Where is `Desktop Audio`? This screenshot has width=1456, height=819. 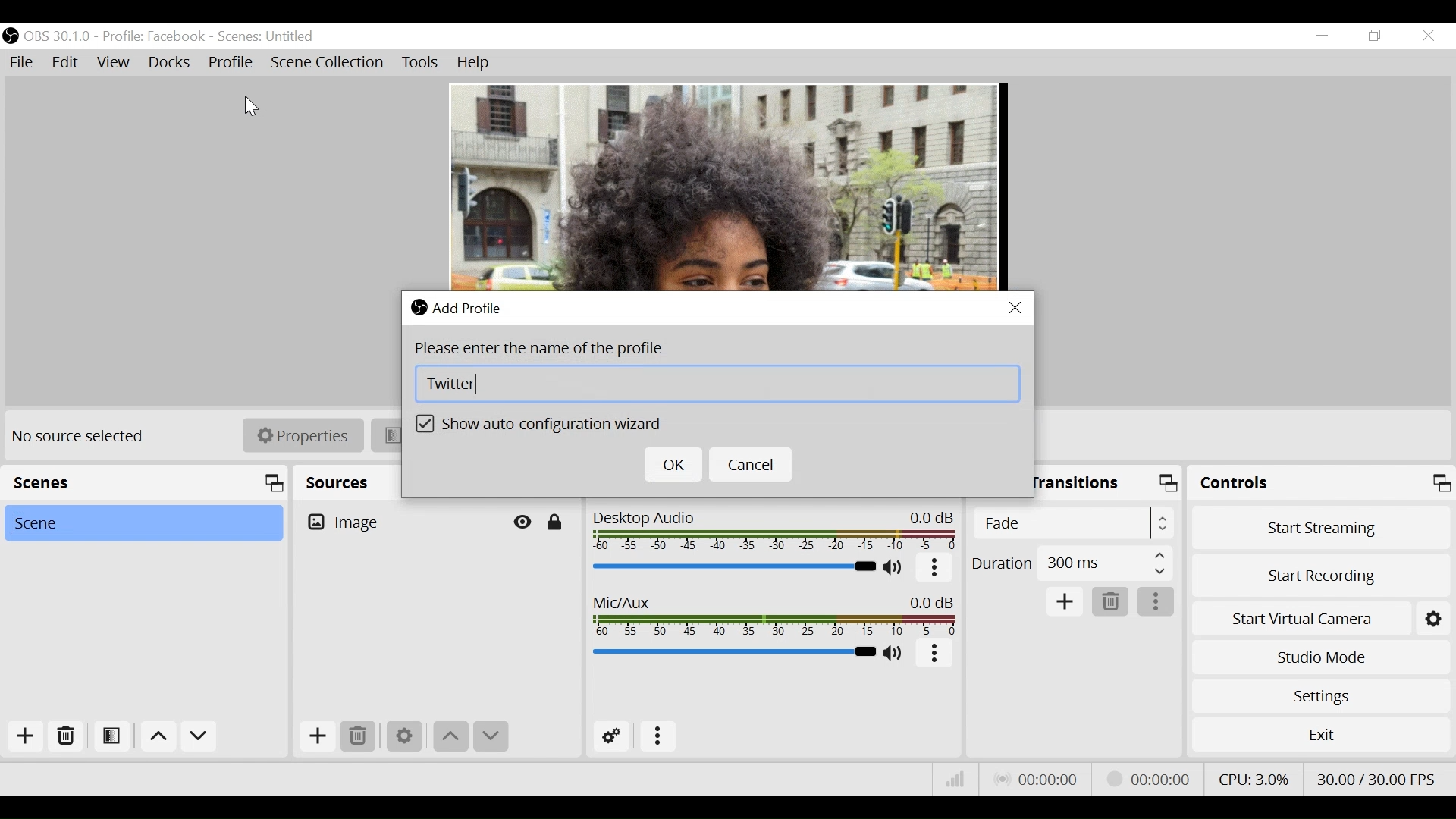 Desktop Audio is located at coordinates (776, 532).